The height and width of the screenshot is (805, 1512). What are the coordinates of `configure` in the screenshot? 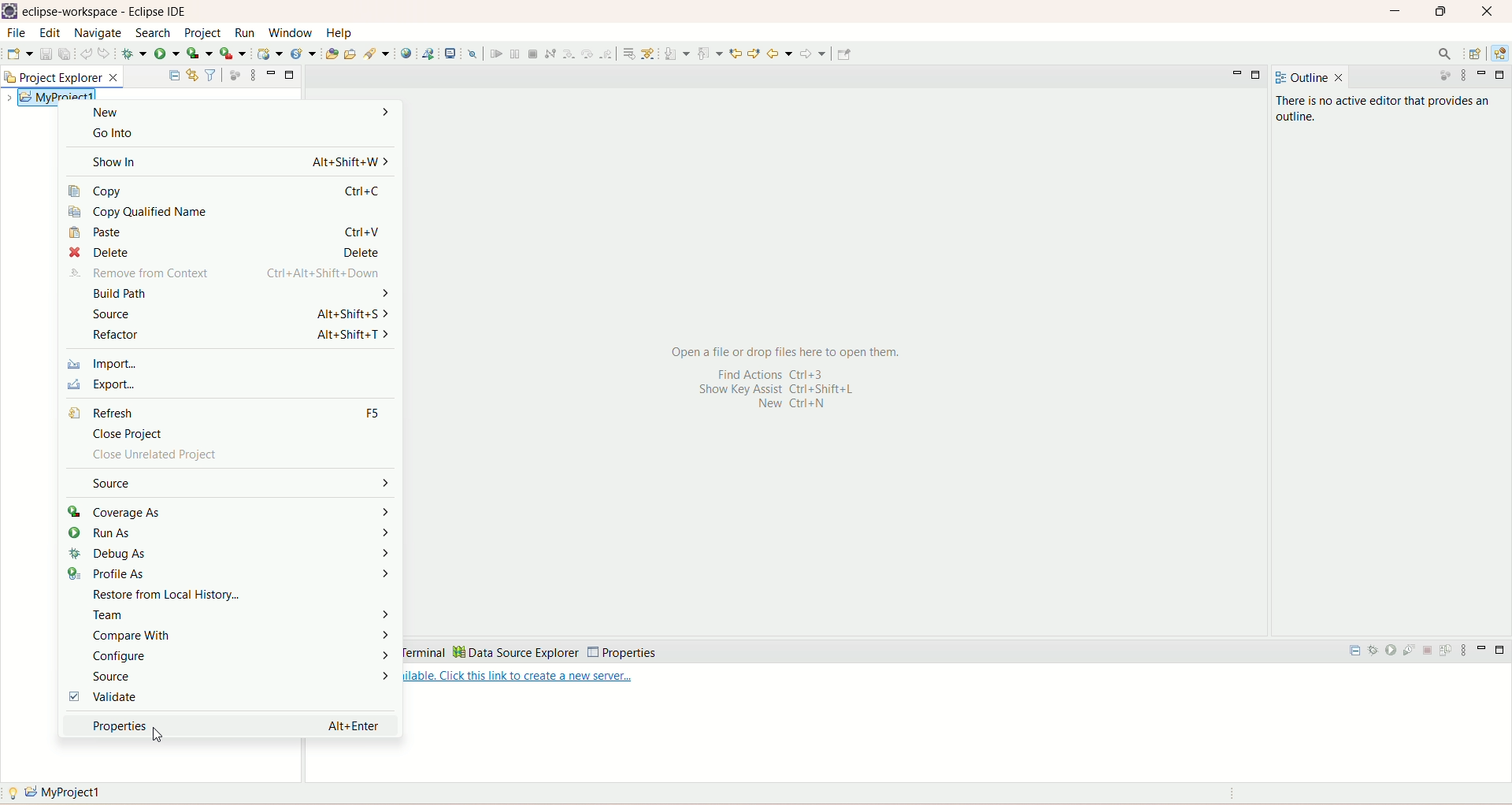 It's located at (234, 656).